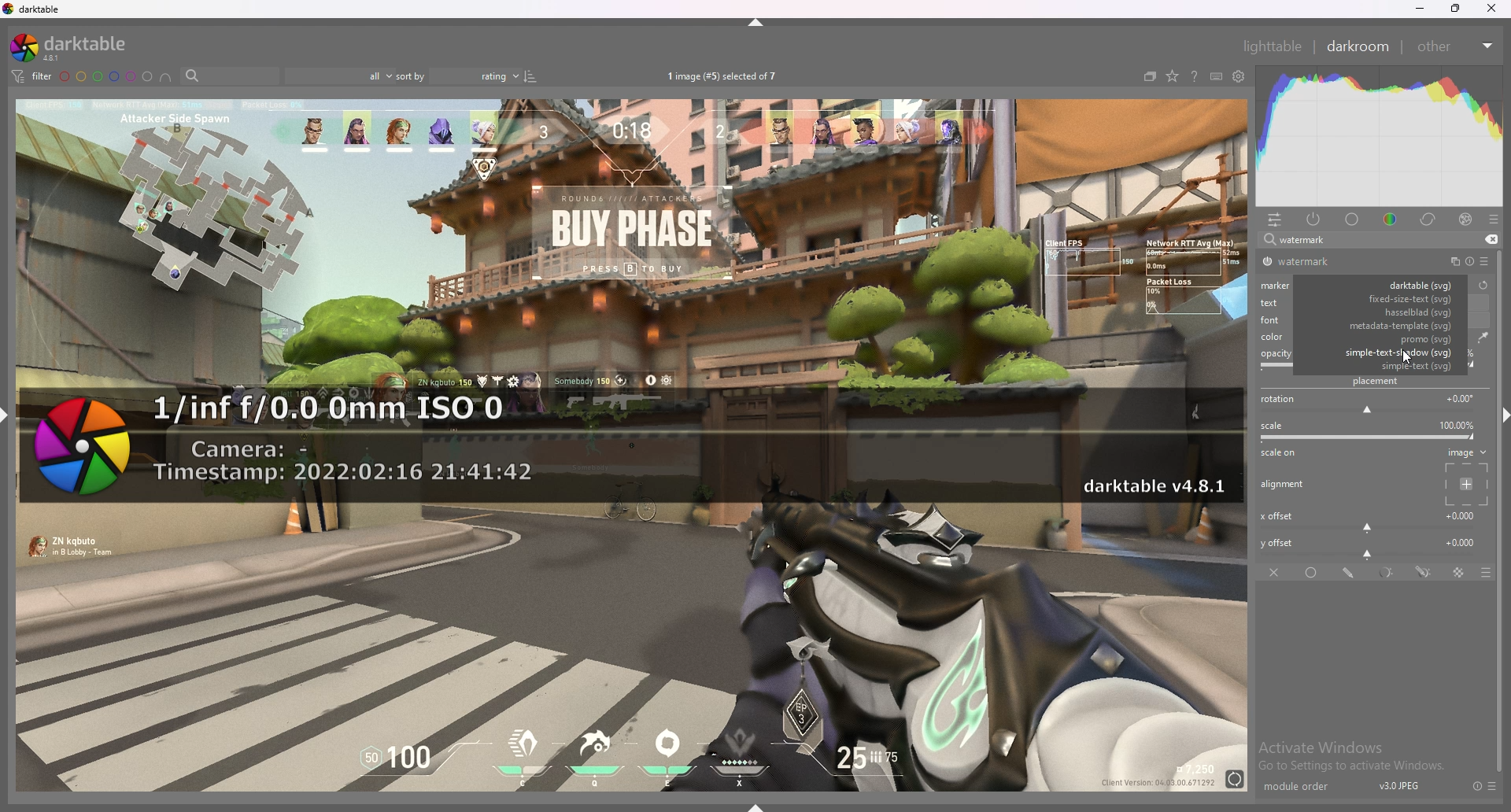  I want to click on watermark, so click(1317, 262).